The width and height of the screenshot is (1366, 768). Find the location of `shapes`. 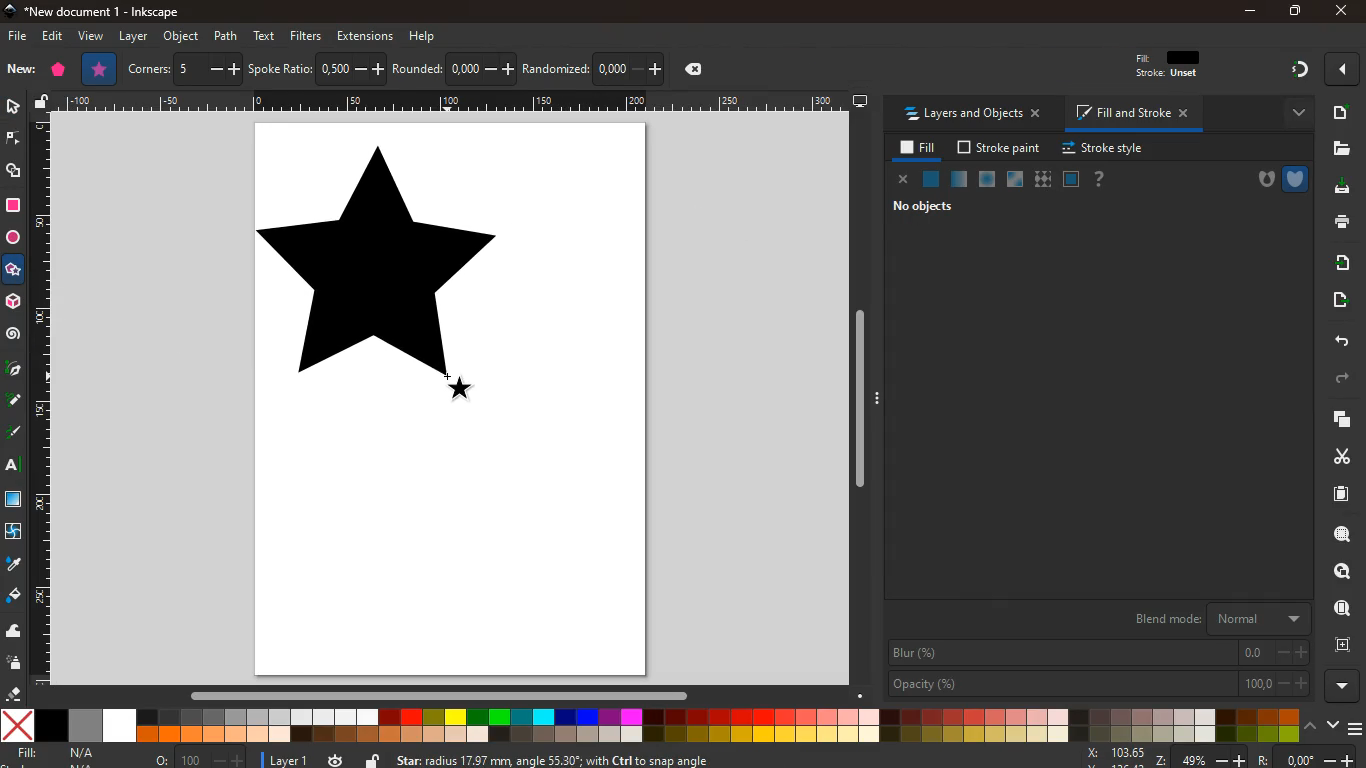

shapes is located at coordinates (14, 173).